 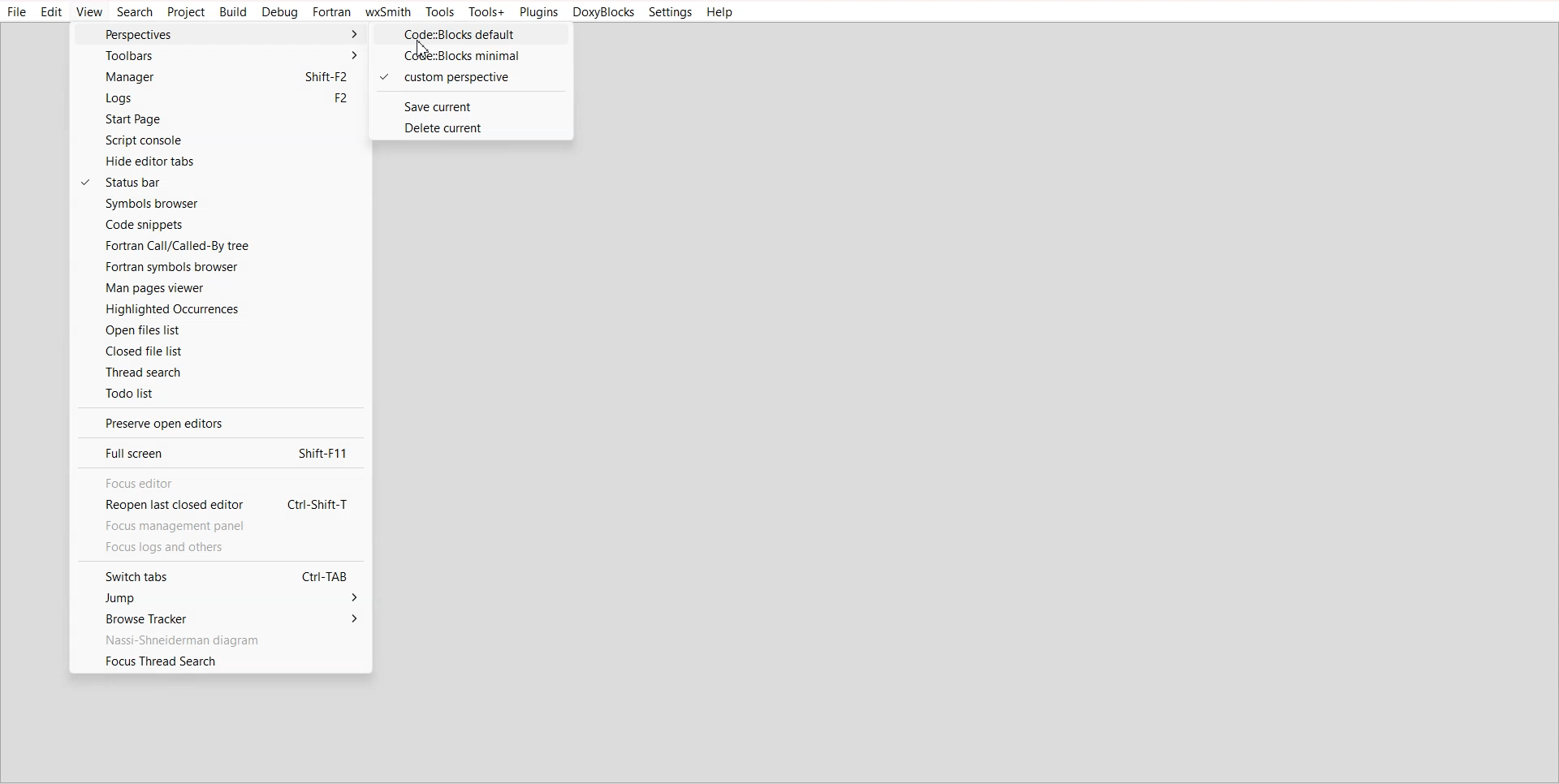 What do you see at coordinates (469, 56) in the screenshot?
I see `CODE::BLOCK minimal` at bounding box center [469, 56].